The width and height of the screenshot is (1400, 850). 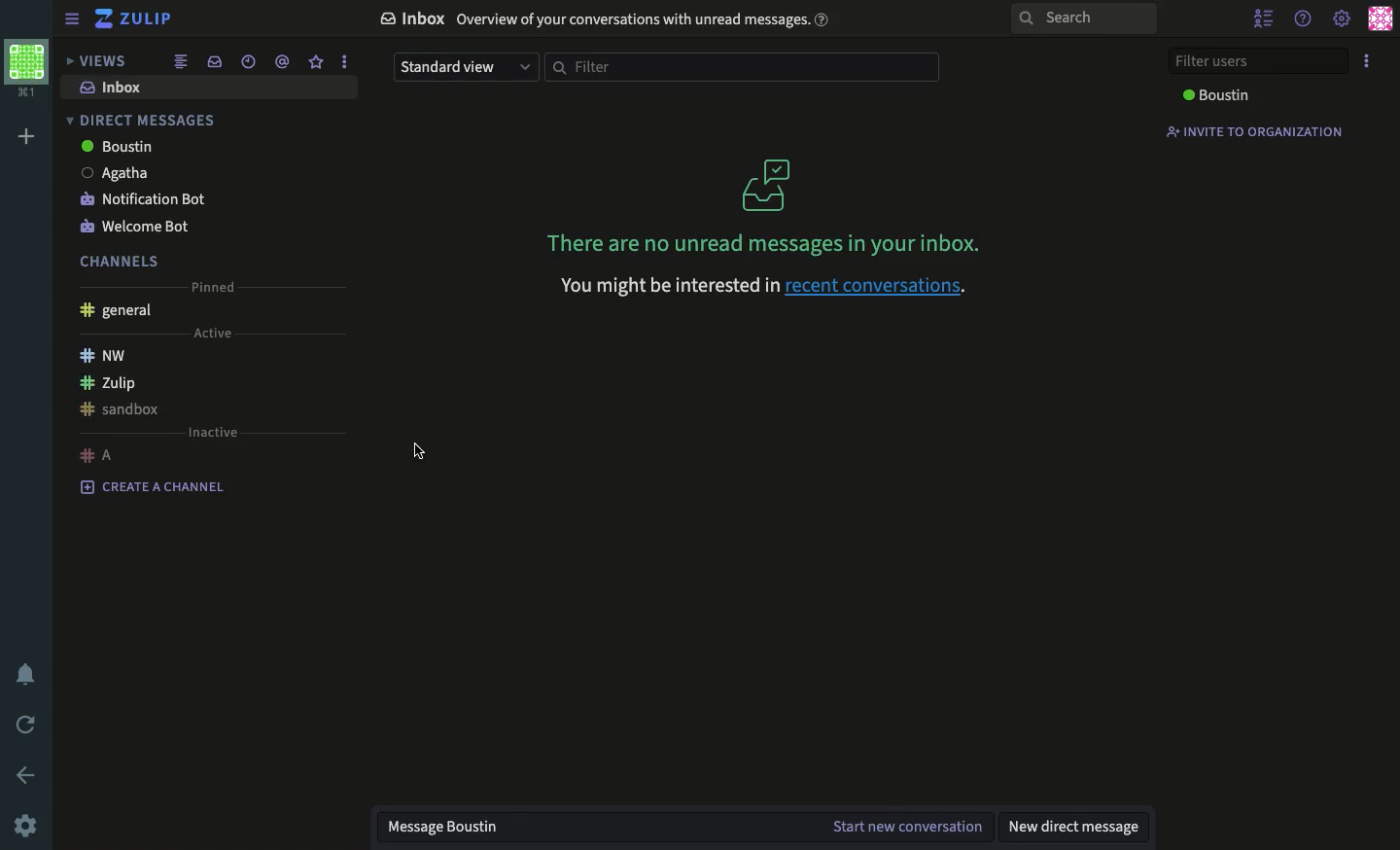 I want to click on inactive, so click(x=214, y=433).